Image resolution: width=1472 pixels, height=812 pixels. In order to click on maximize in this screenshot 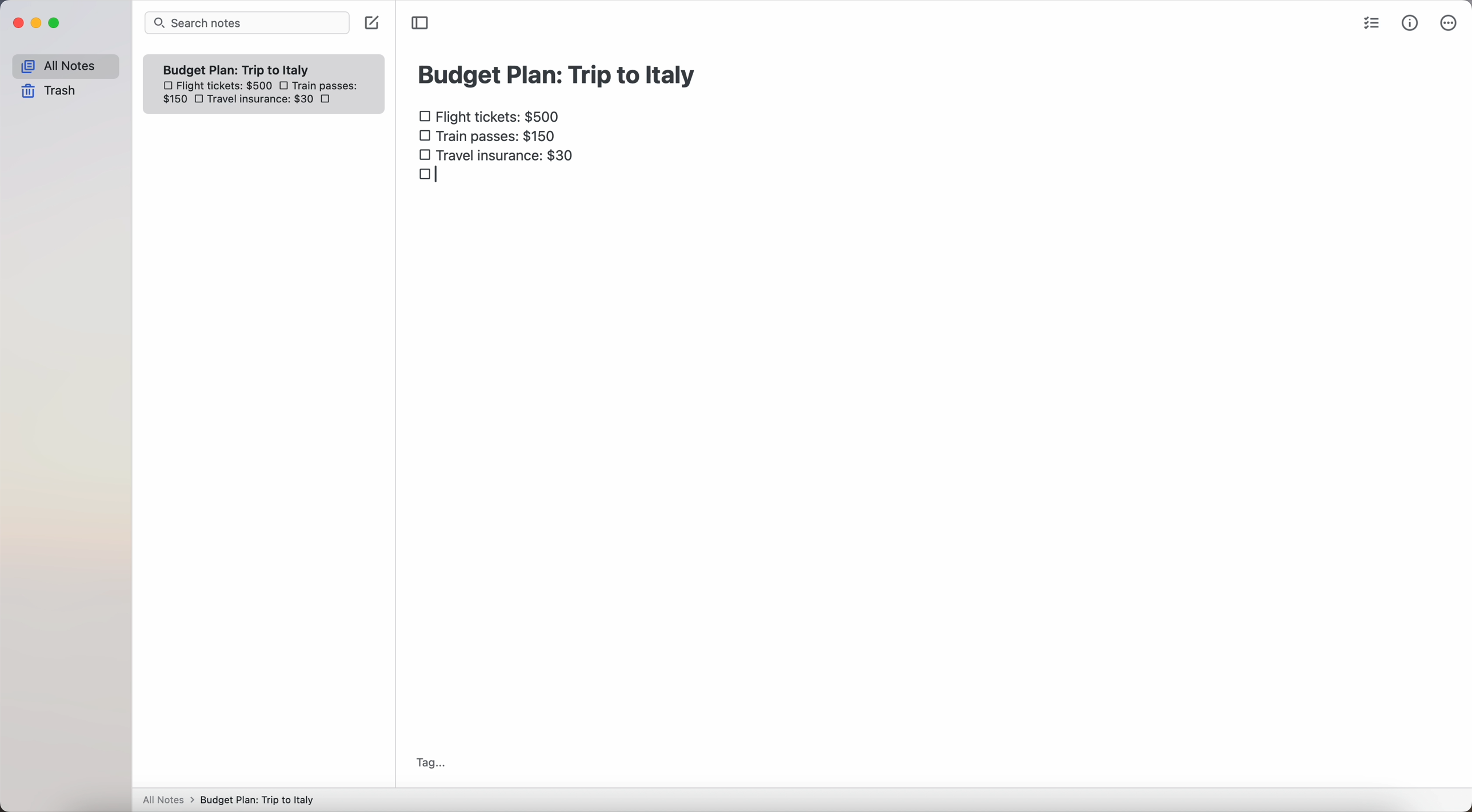, I will do `click(57, 23)`.